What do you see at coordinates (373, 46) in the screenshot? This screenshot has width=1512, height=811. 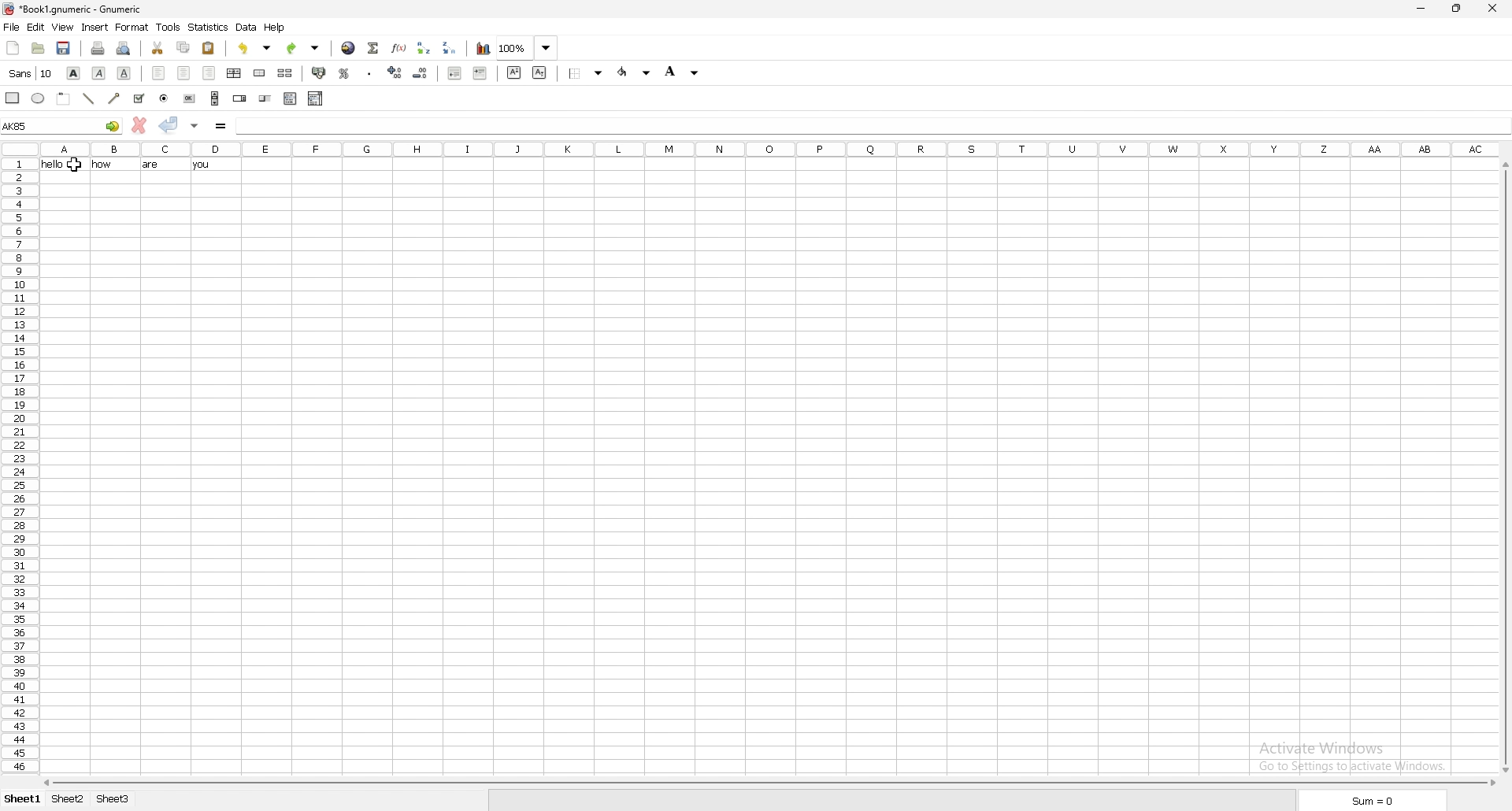 I see `summation` at bounding box center [373, 46].